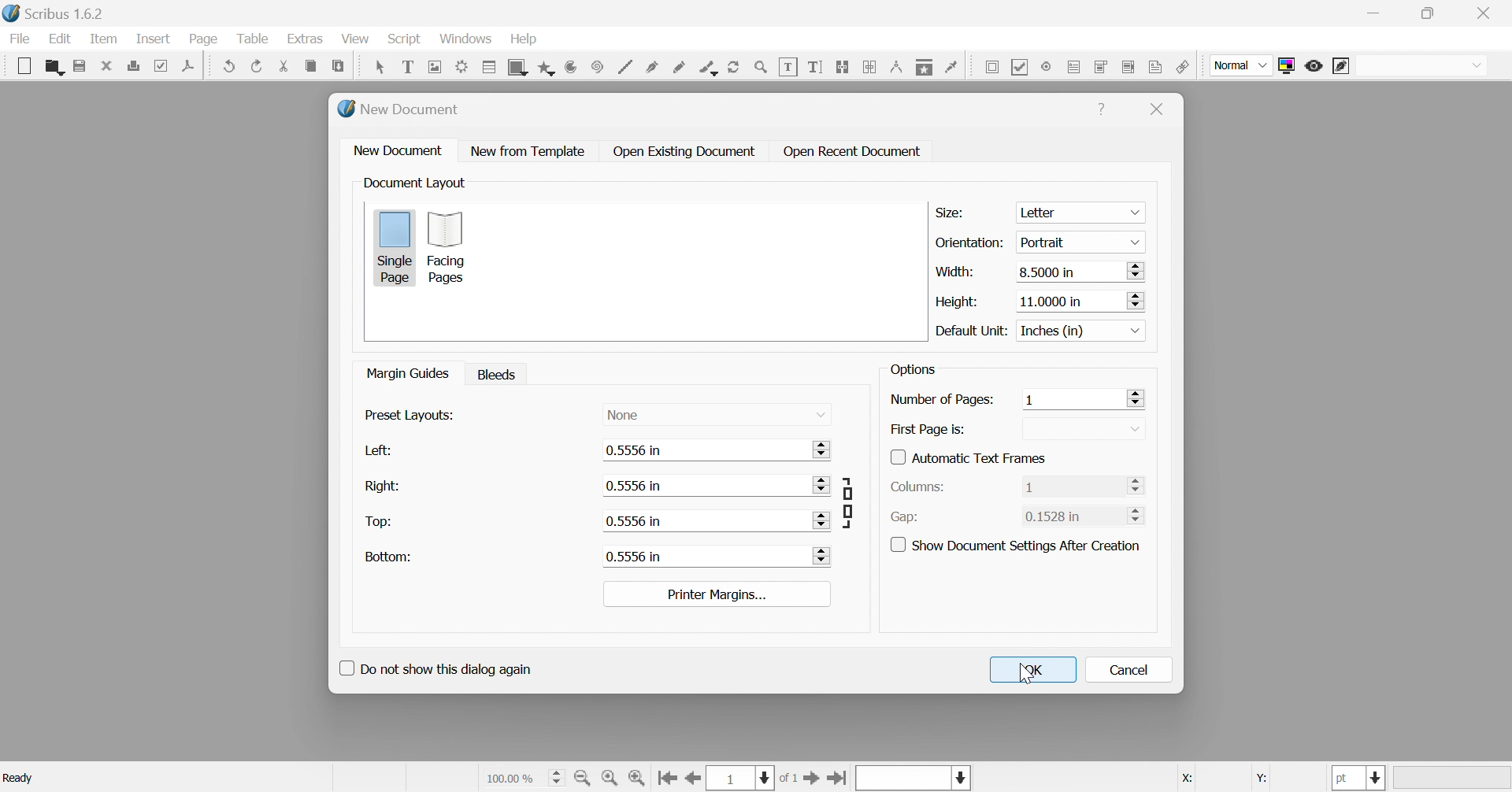  What do you see at coordinates (1075, 67) in the screenshot?
I see `PDF text field` at bounding box center [1075, 67].